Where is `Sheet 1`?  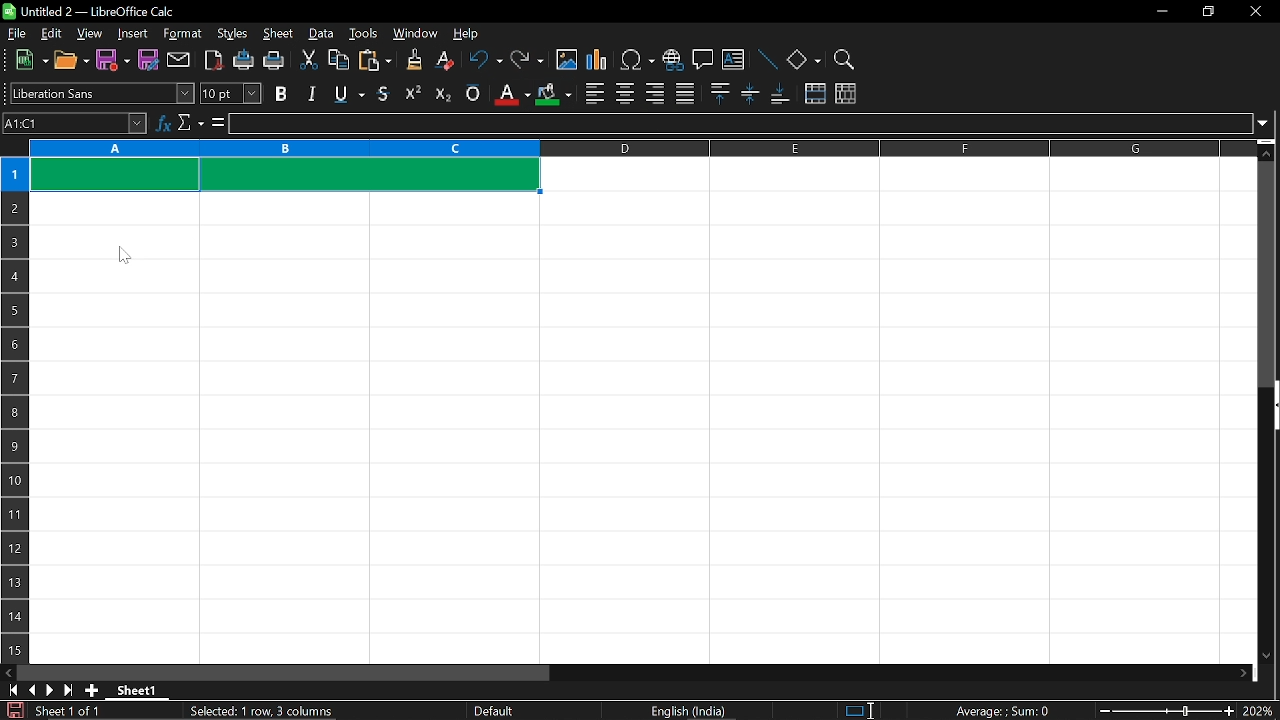 Sheet 1 is located at coordinates (137, 690).